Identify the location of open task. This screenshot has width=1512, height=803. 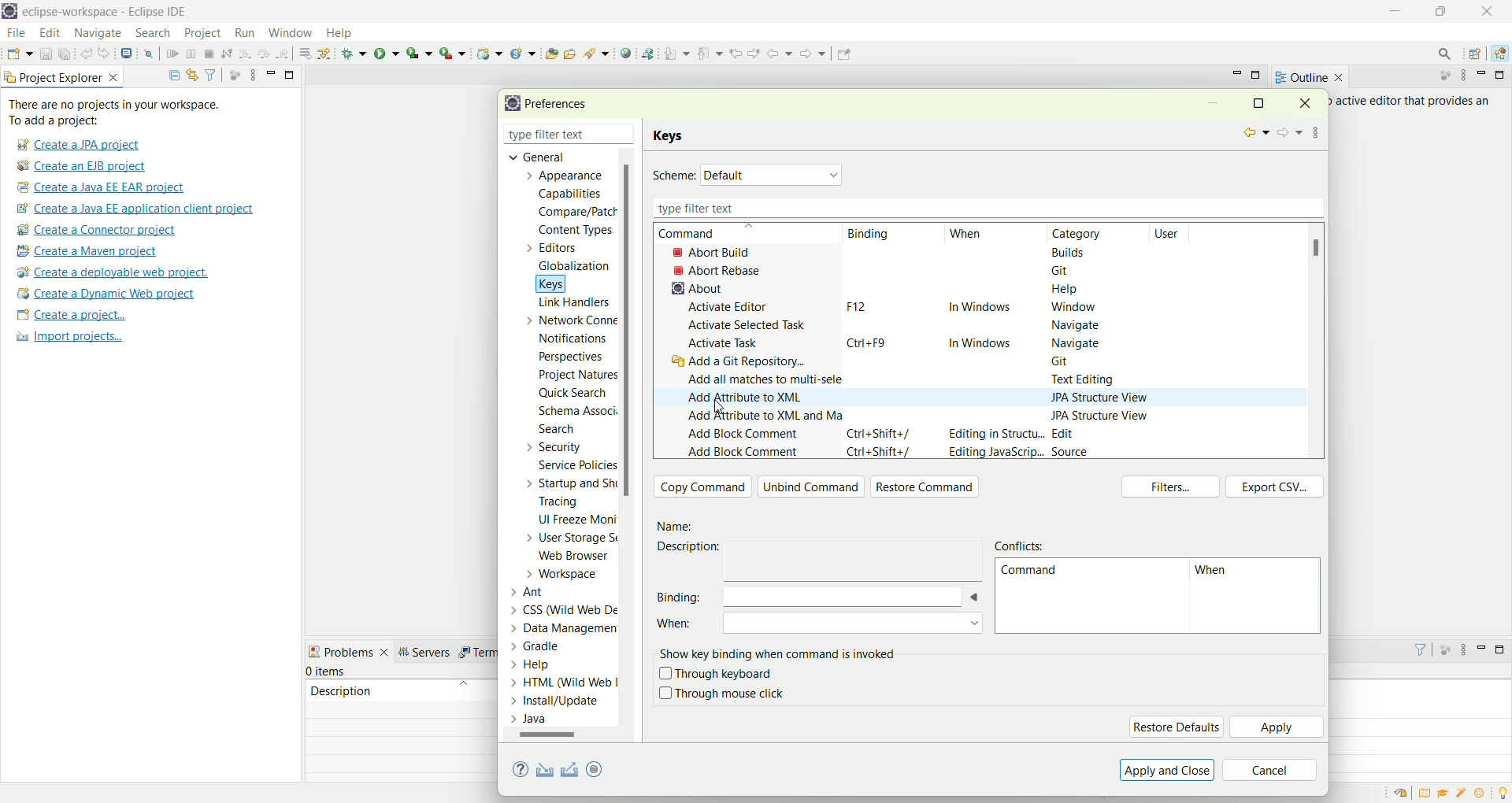
(569, 52).